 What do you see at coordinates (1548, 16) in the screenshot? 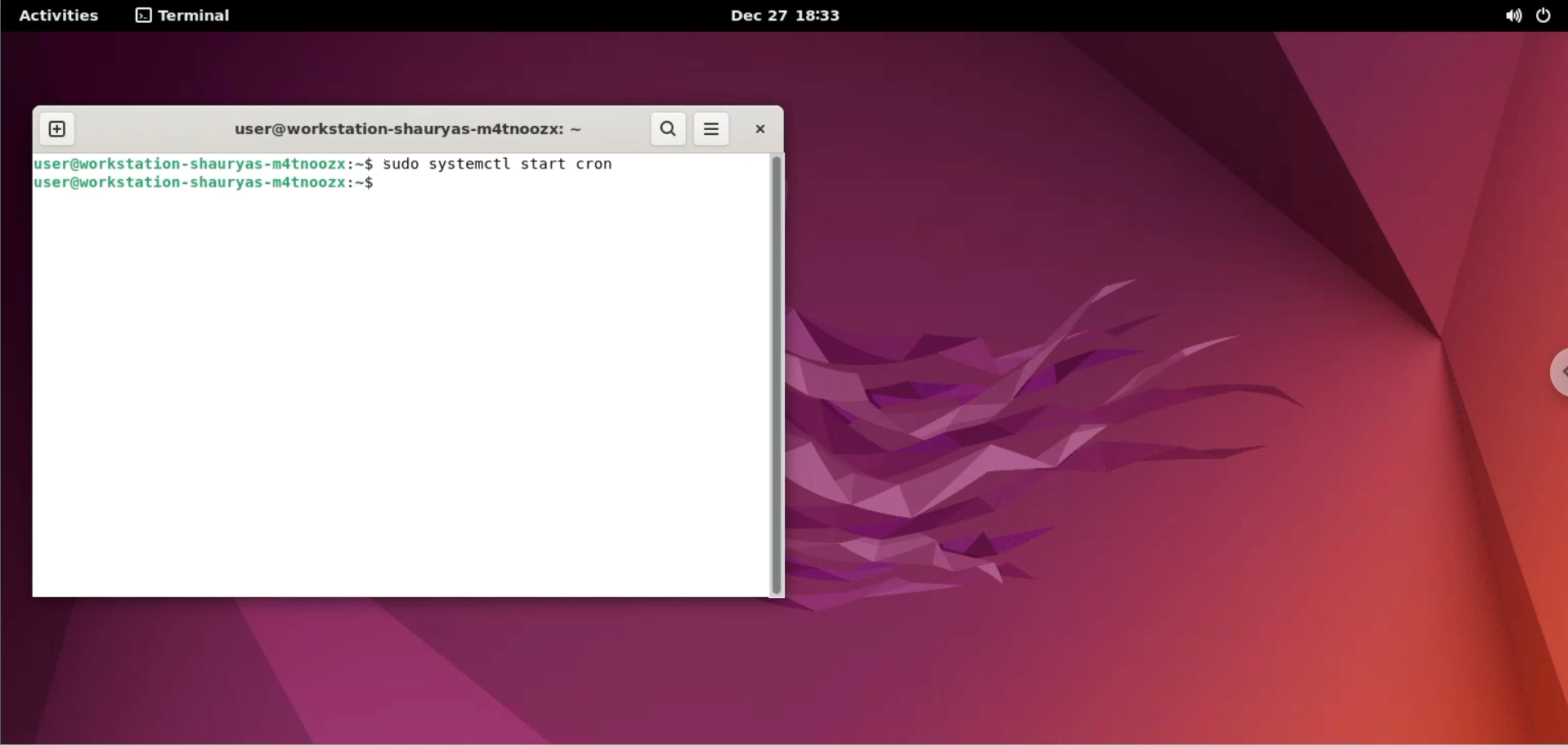
I see `power options` at bounding box center [1548, 16].